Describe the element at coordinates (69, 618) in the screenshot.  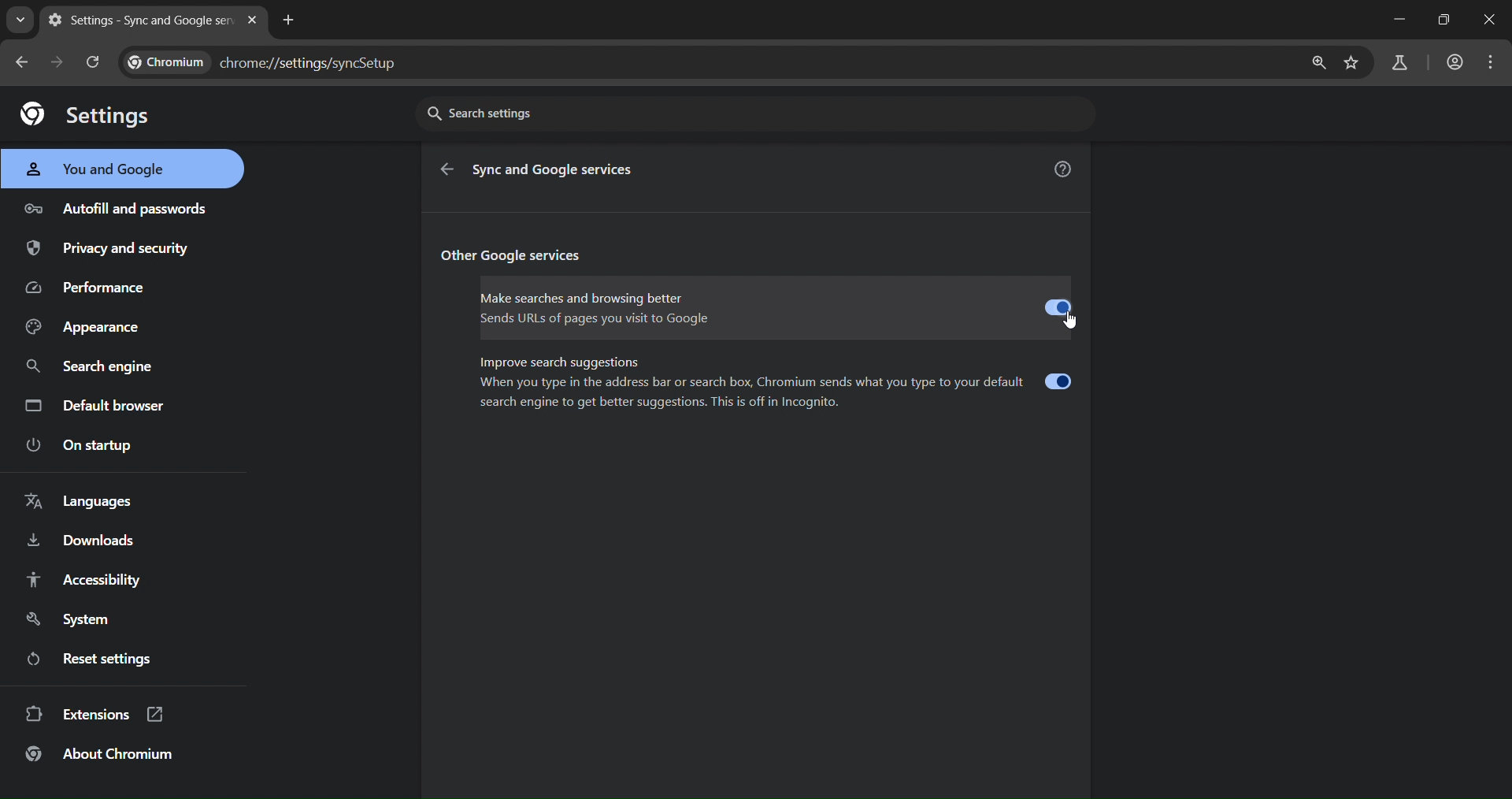
I see `system` at that location.